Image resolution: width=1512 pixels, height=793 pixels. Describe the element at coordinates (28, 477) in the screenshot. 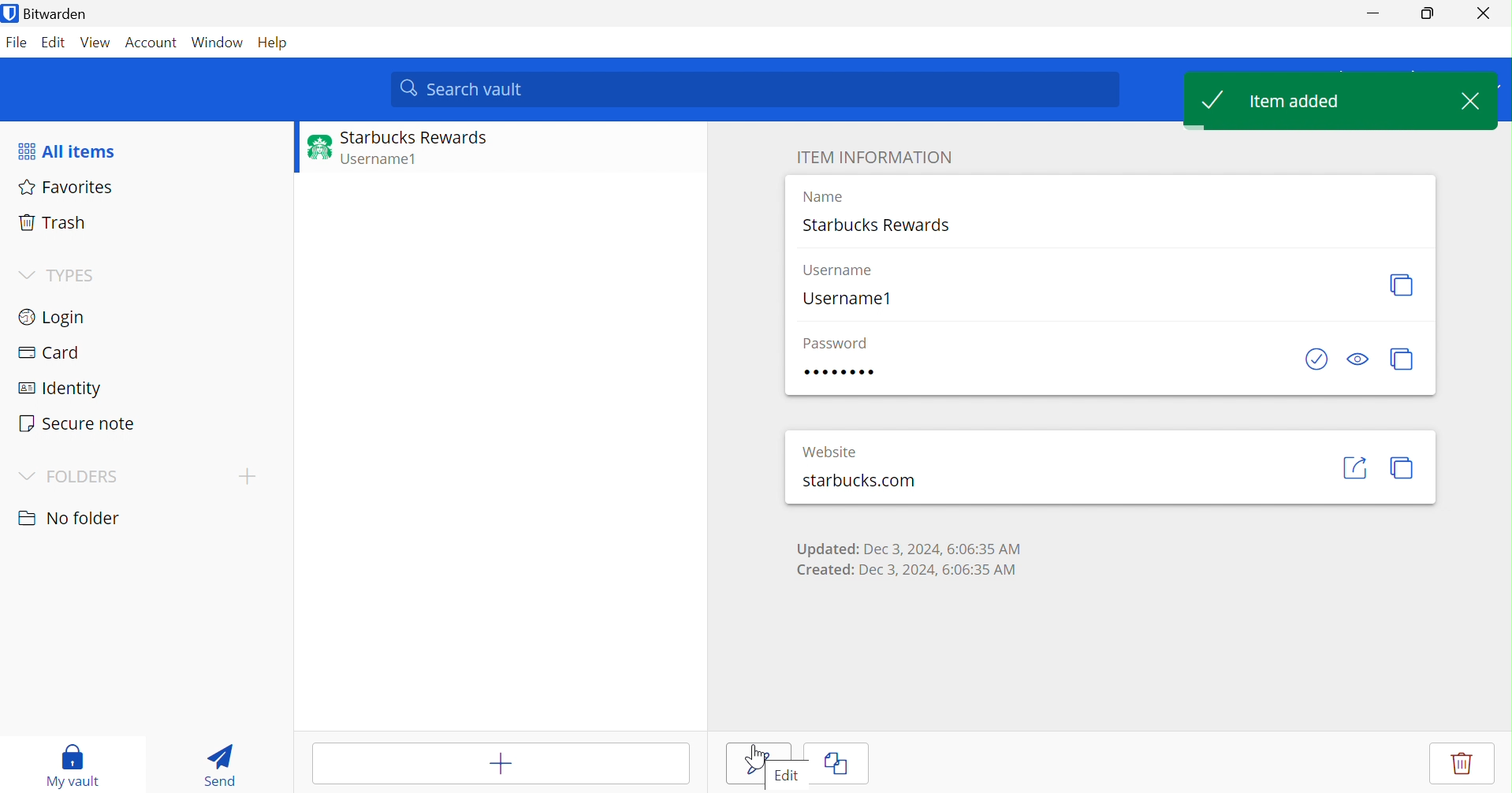

I see `Drop Down` at that location.